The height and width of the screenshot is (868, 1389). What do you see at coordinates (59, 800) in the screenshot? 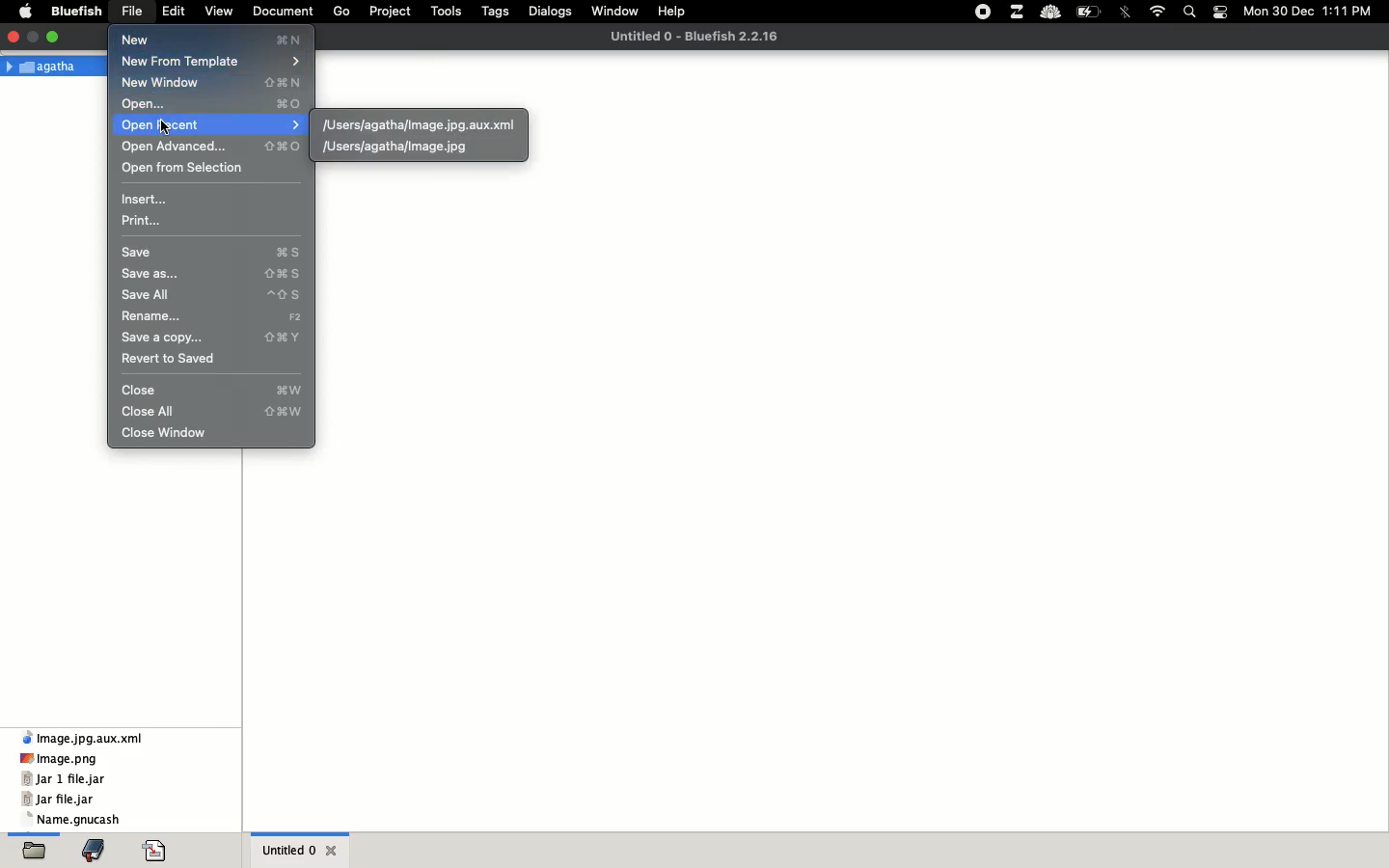
I see `jar file.jar` at bounding box center [59, 800].